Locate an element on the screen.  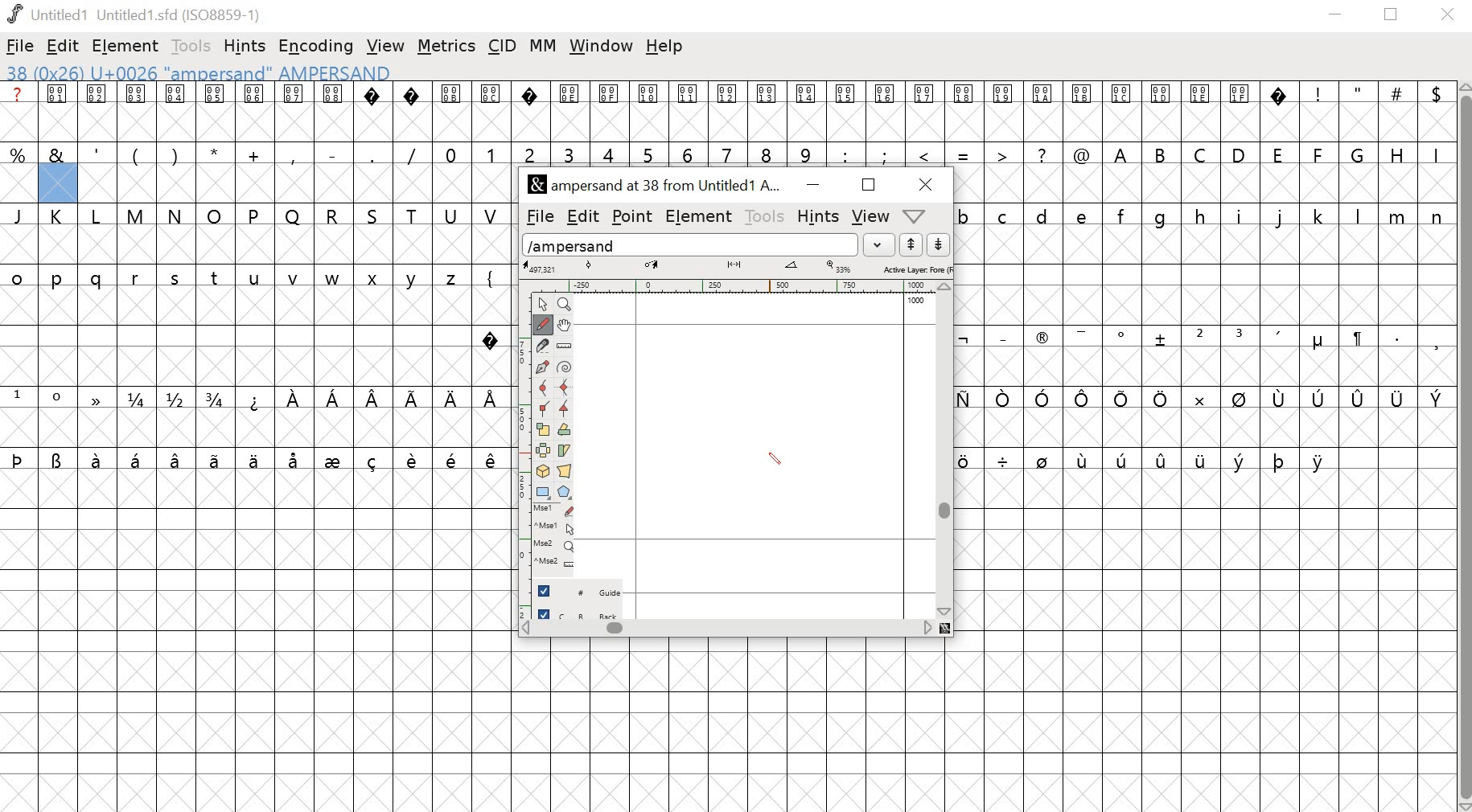
symbol is located at coordinates (1240, 459).